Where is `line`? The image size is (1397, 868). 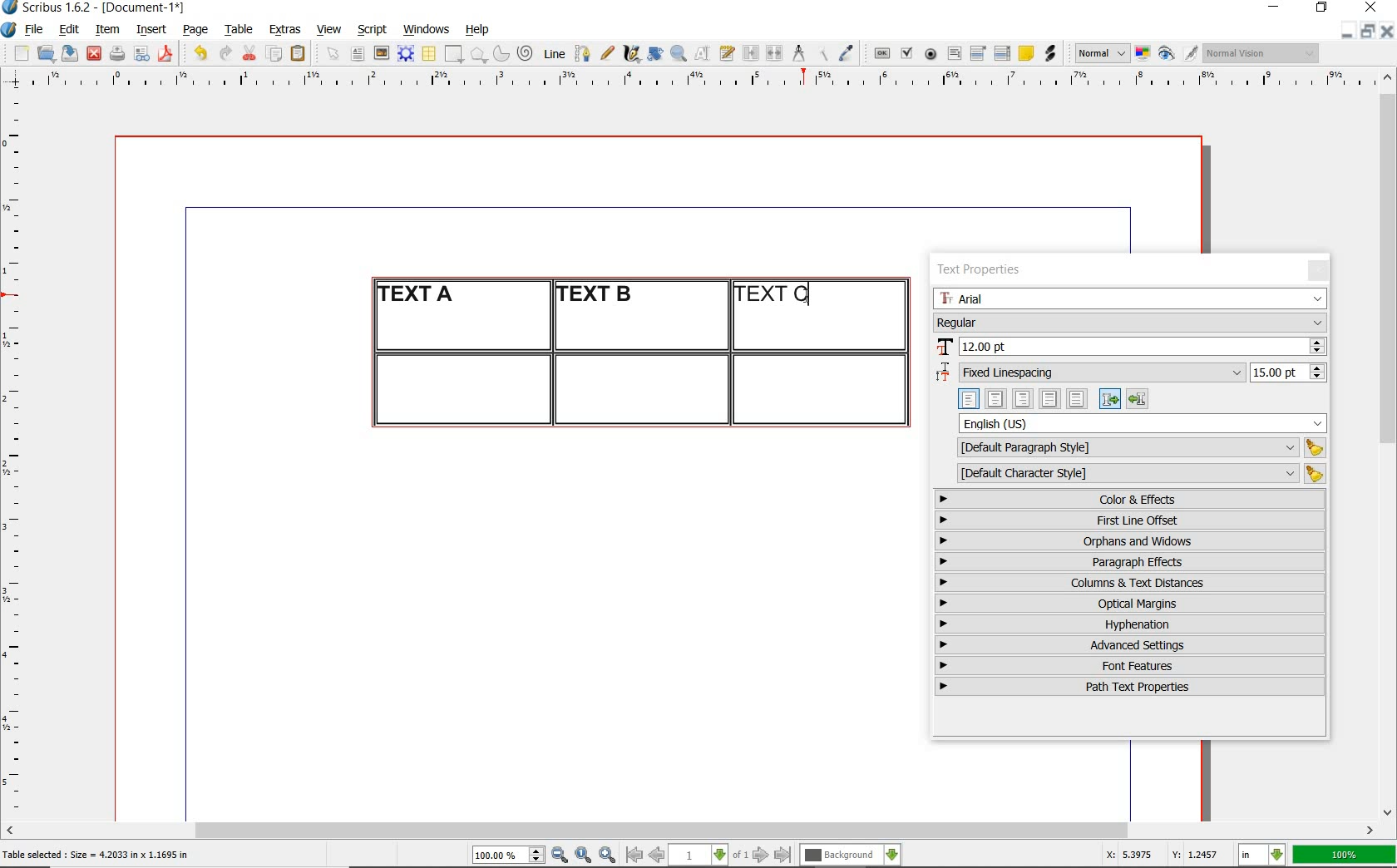
line is located at coordinates (552, 53).